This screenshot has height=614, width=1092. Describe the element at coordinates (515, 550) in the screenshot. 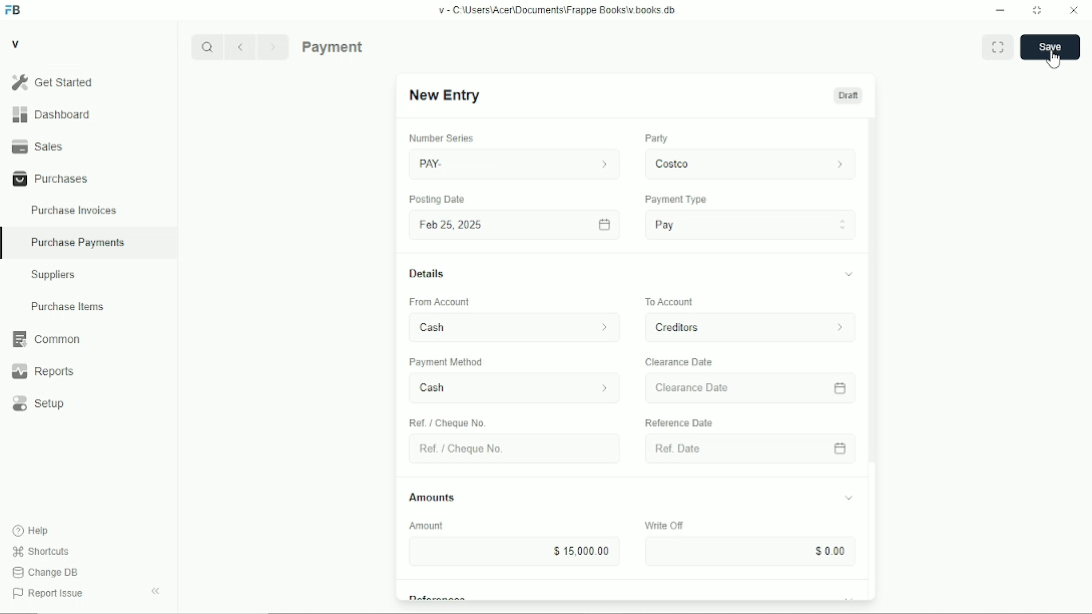

I see `$15,000` at that location.